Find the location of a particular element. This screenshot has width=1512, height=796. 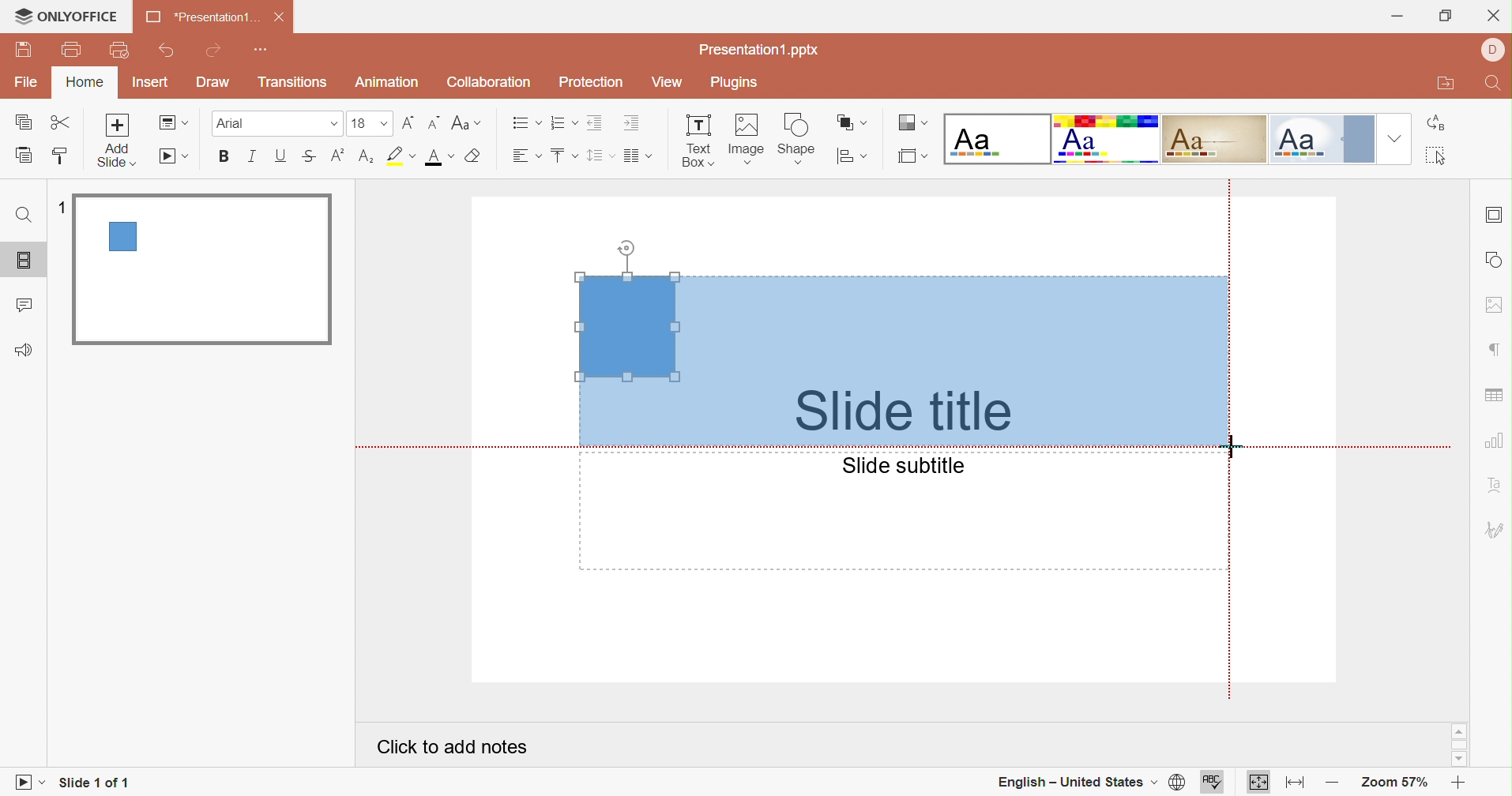

Quick print is located at coordinates (120, 51).